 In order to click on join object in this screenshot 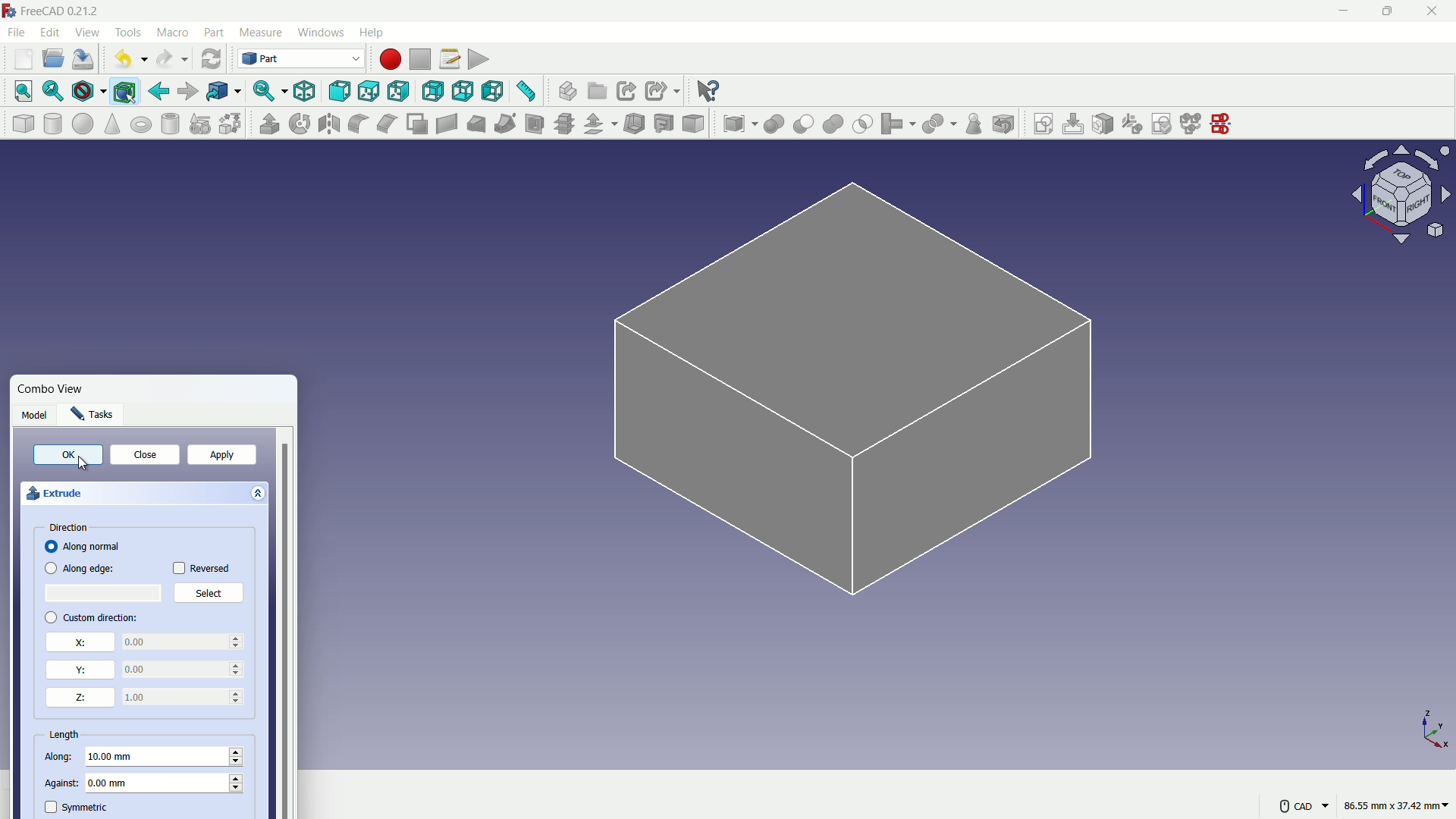, I will do `click(897, 123)`.